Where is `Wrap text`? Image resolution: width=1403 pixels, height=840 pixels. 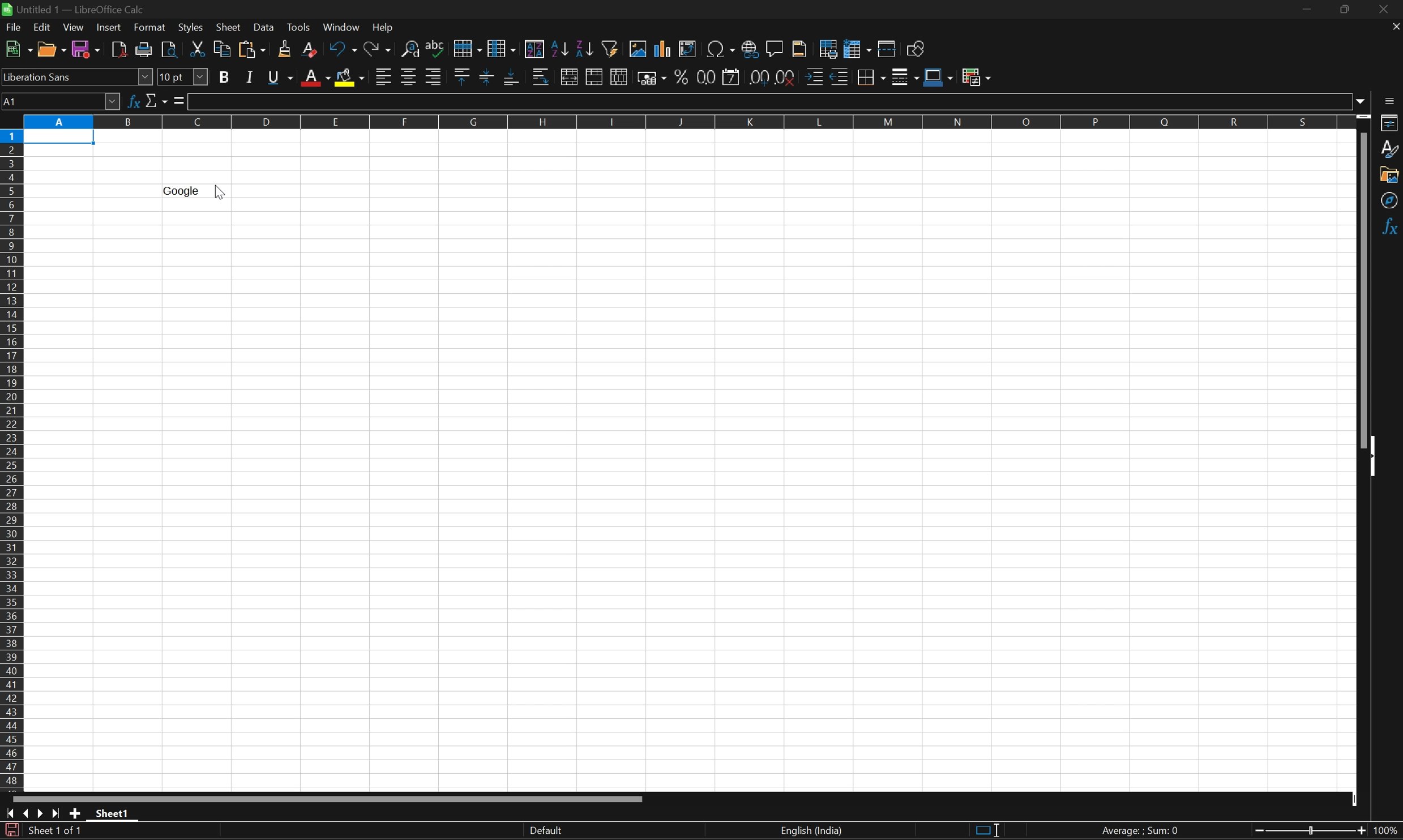
Wrap text is located at coordinates (542, 77).